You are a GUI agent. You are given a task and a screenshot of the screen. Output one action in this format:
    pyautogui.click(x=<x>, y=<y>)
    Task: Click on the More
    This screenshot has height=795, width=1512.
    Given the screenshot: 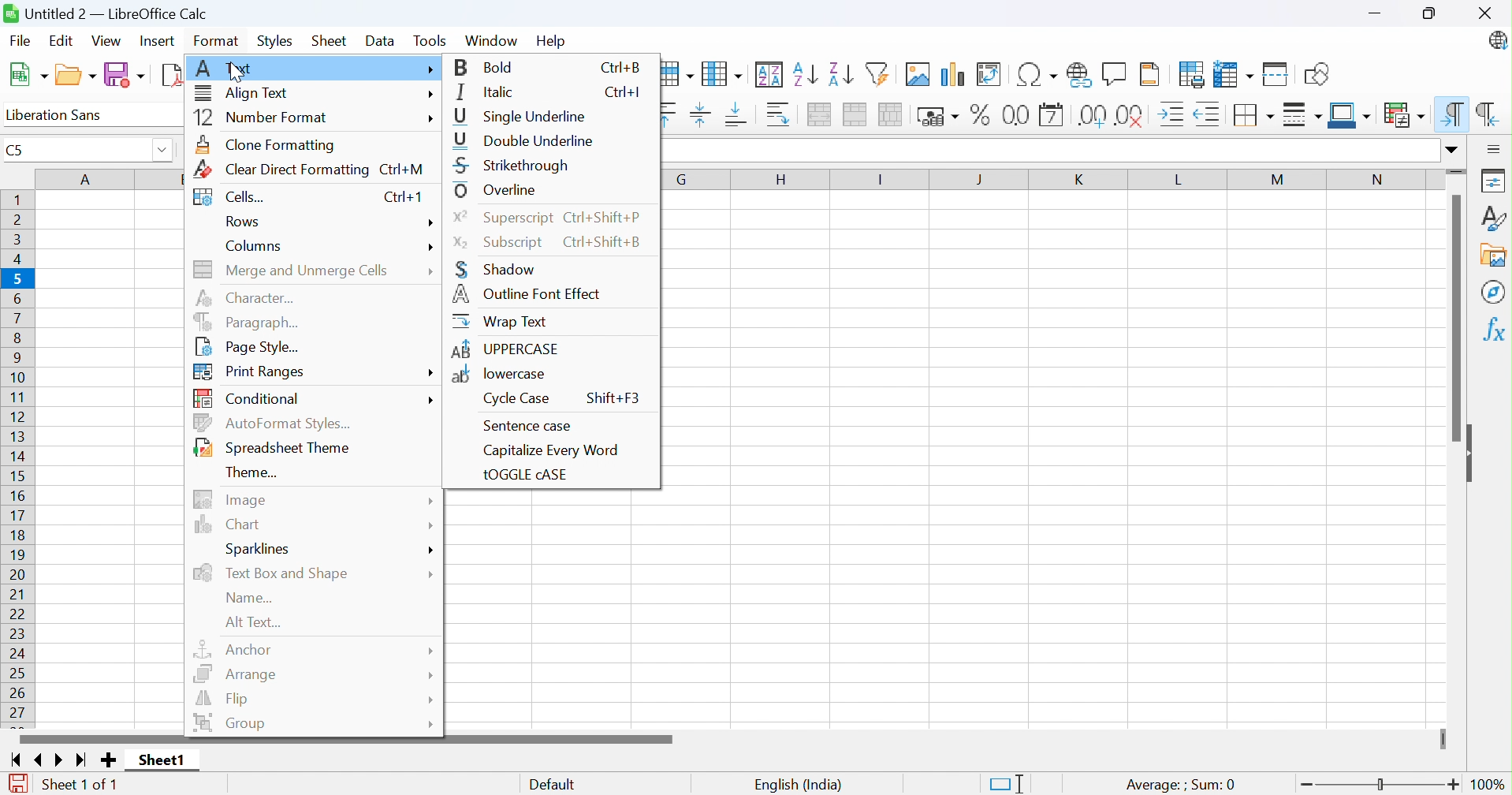 What is the action you would take?
    pyautogui.click(x=434, y=571)
    